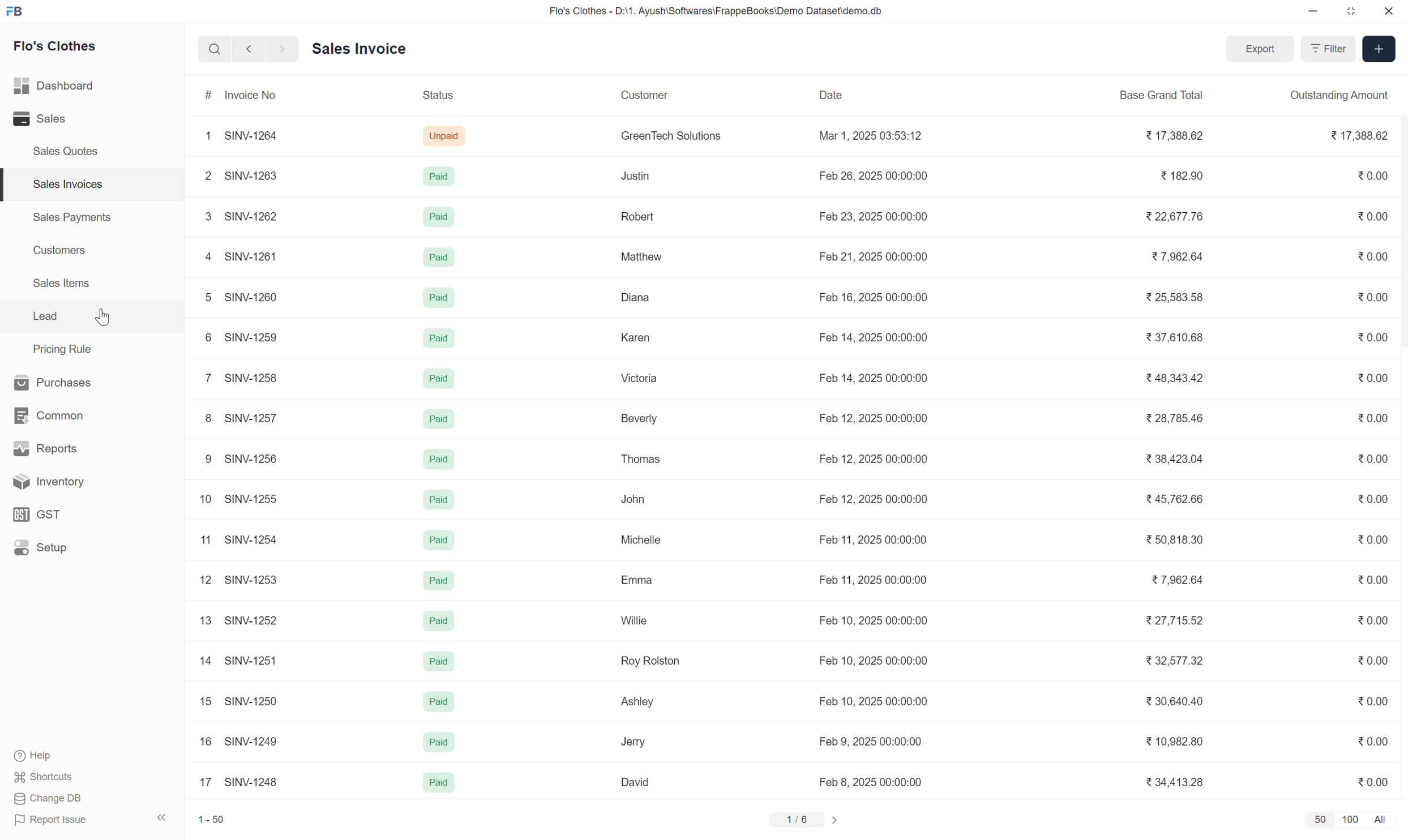 Image resolution: width=1408 pixels, height=840 pixels. I want to click on (®) Help, so click(40, 753).